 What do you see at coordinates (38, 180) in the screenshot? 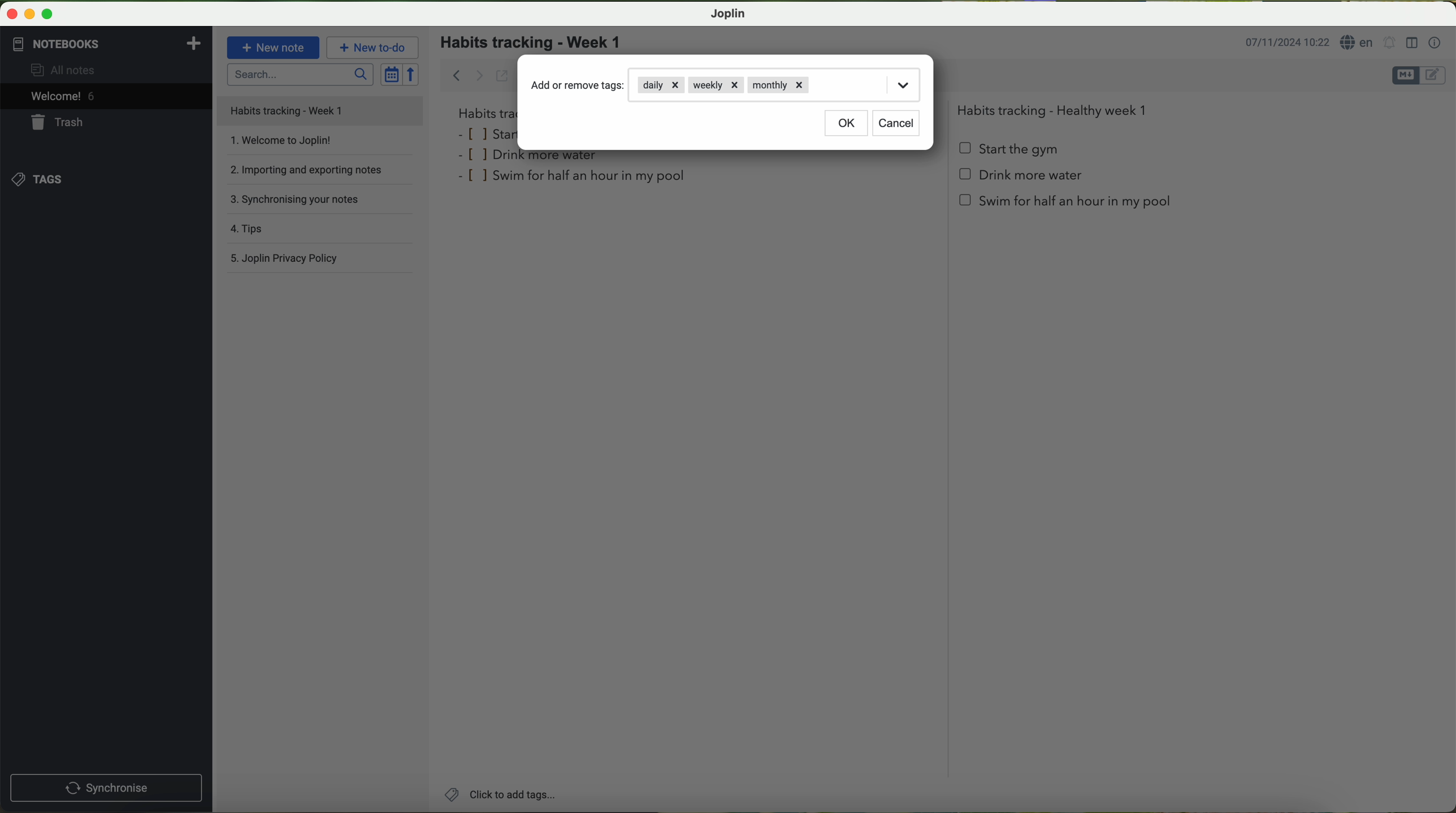
I see `tags` at bounding box center [38, 180].